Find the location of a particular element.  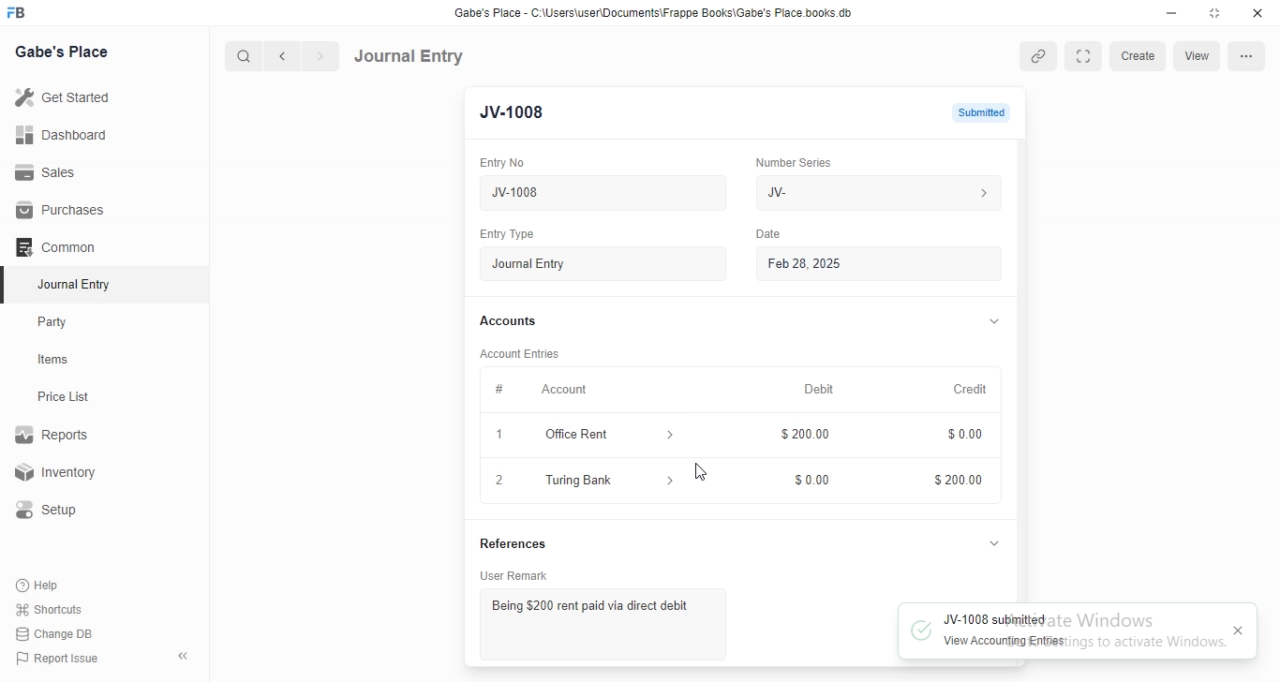

Reports. is located at coordinates (55, 438).